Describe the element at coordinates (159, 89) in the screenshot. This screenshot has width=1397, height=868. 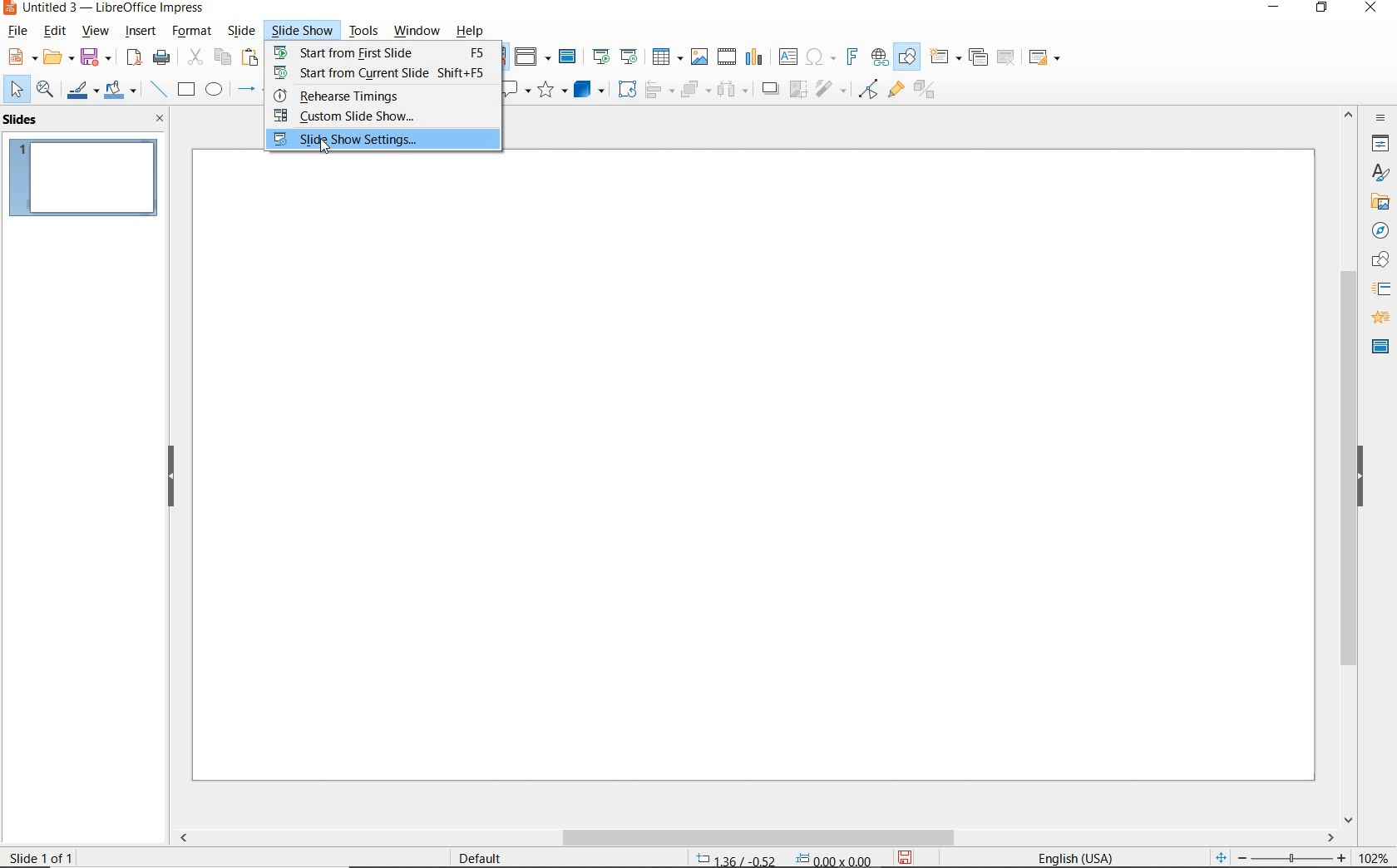
I see `INSERT LINE` at that location.